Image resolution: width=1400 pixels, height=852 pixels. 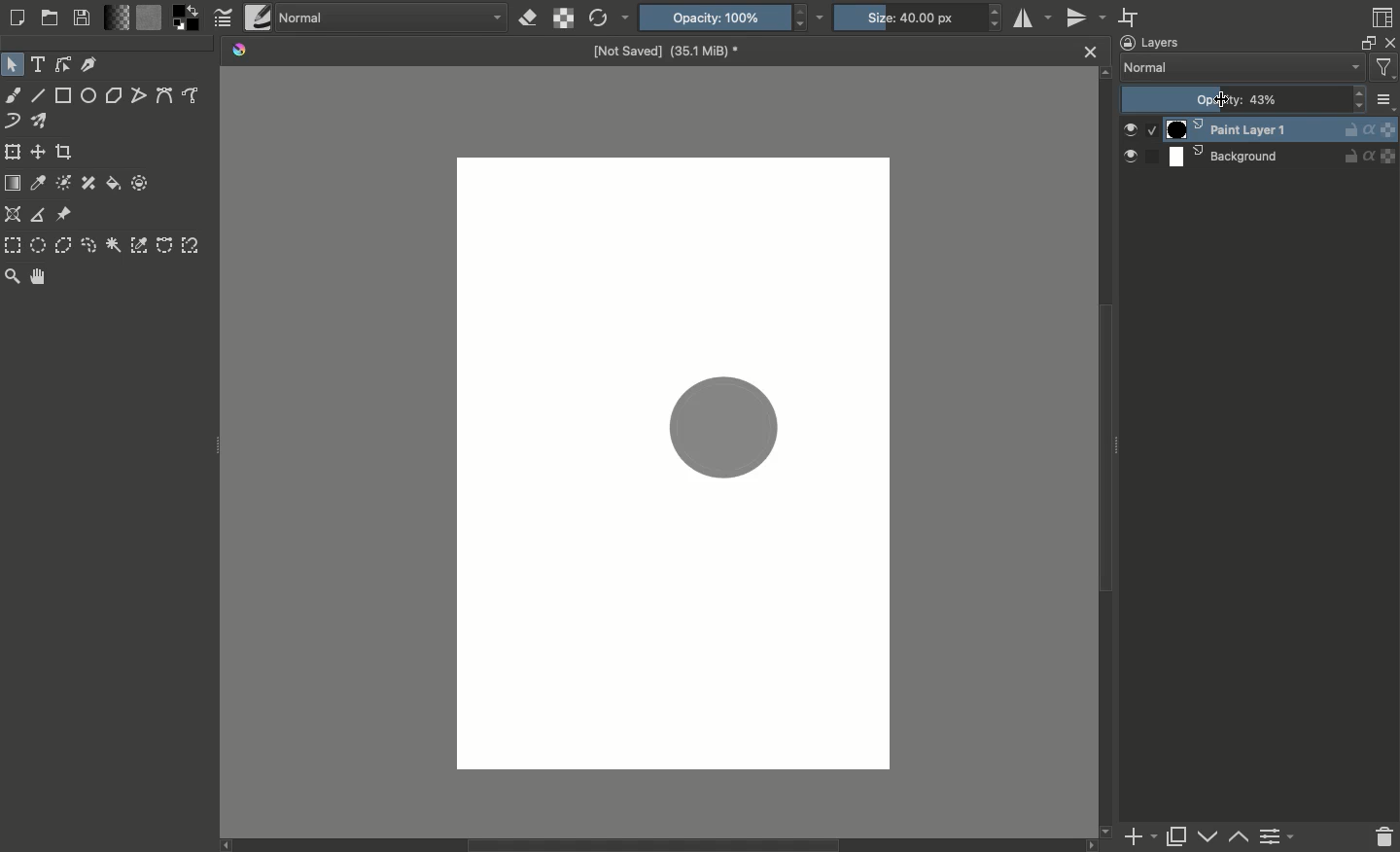 I want to click on Opacity, so click(x=1244, y=100).